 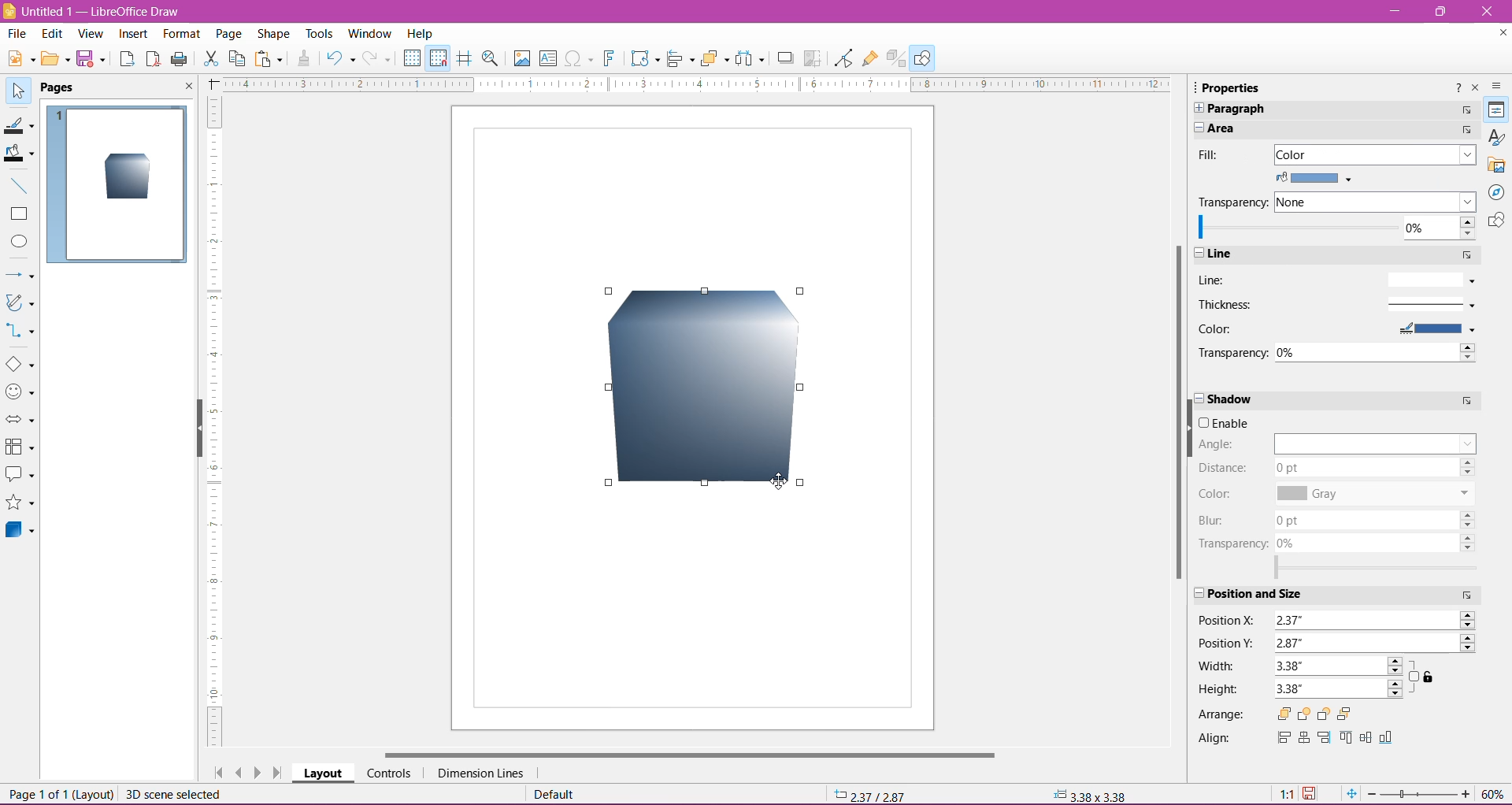 What do you see at coordinates (1466, 112) in the screenshot?
I see `More Options` at bounding box center [1466, 112].